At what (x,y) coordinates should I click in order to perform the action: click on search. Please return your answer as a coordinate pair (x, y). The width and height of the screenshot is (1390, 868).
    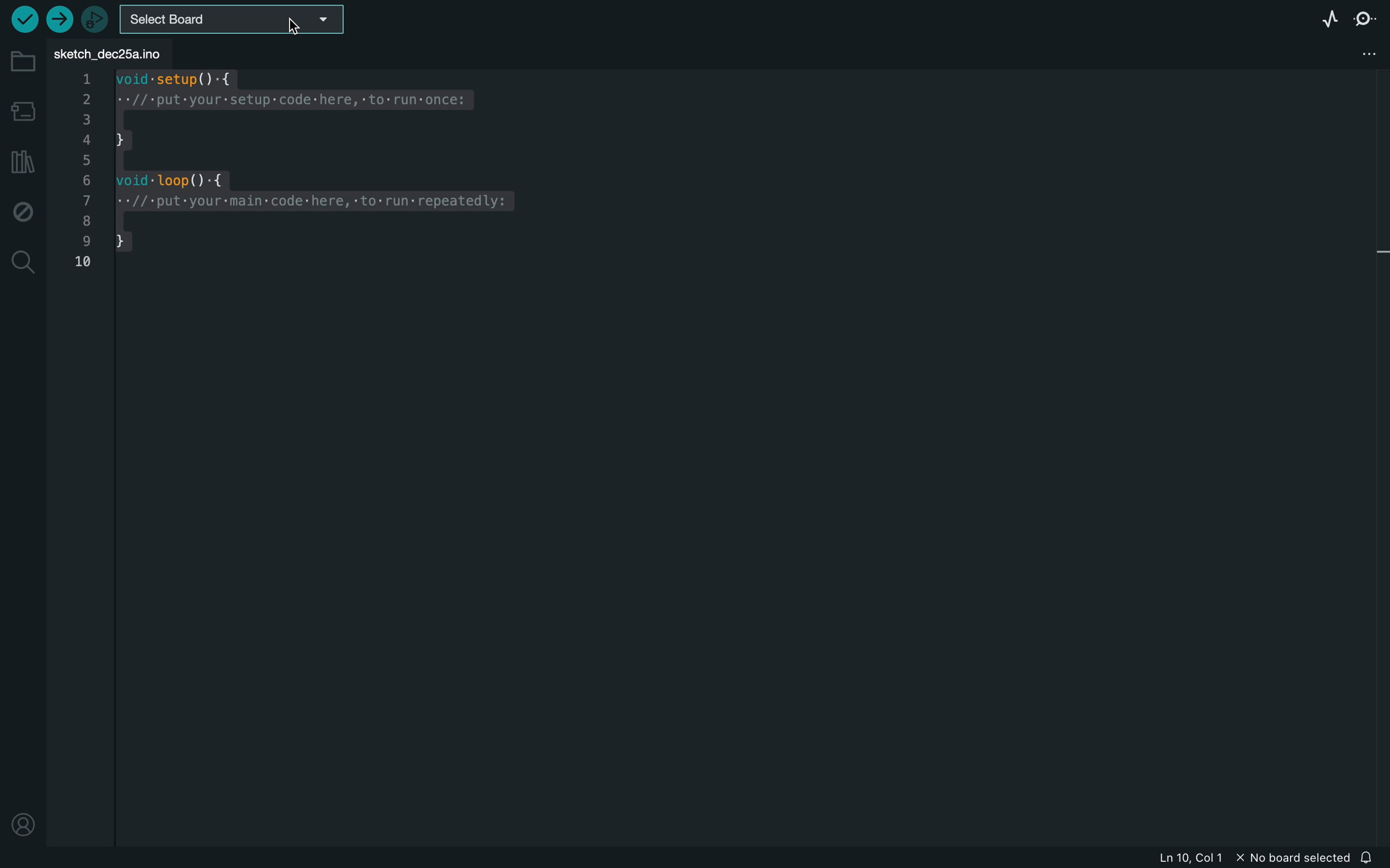
    Looking at the image, I should click on (22, 264).